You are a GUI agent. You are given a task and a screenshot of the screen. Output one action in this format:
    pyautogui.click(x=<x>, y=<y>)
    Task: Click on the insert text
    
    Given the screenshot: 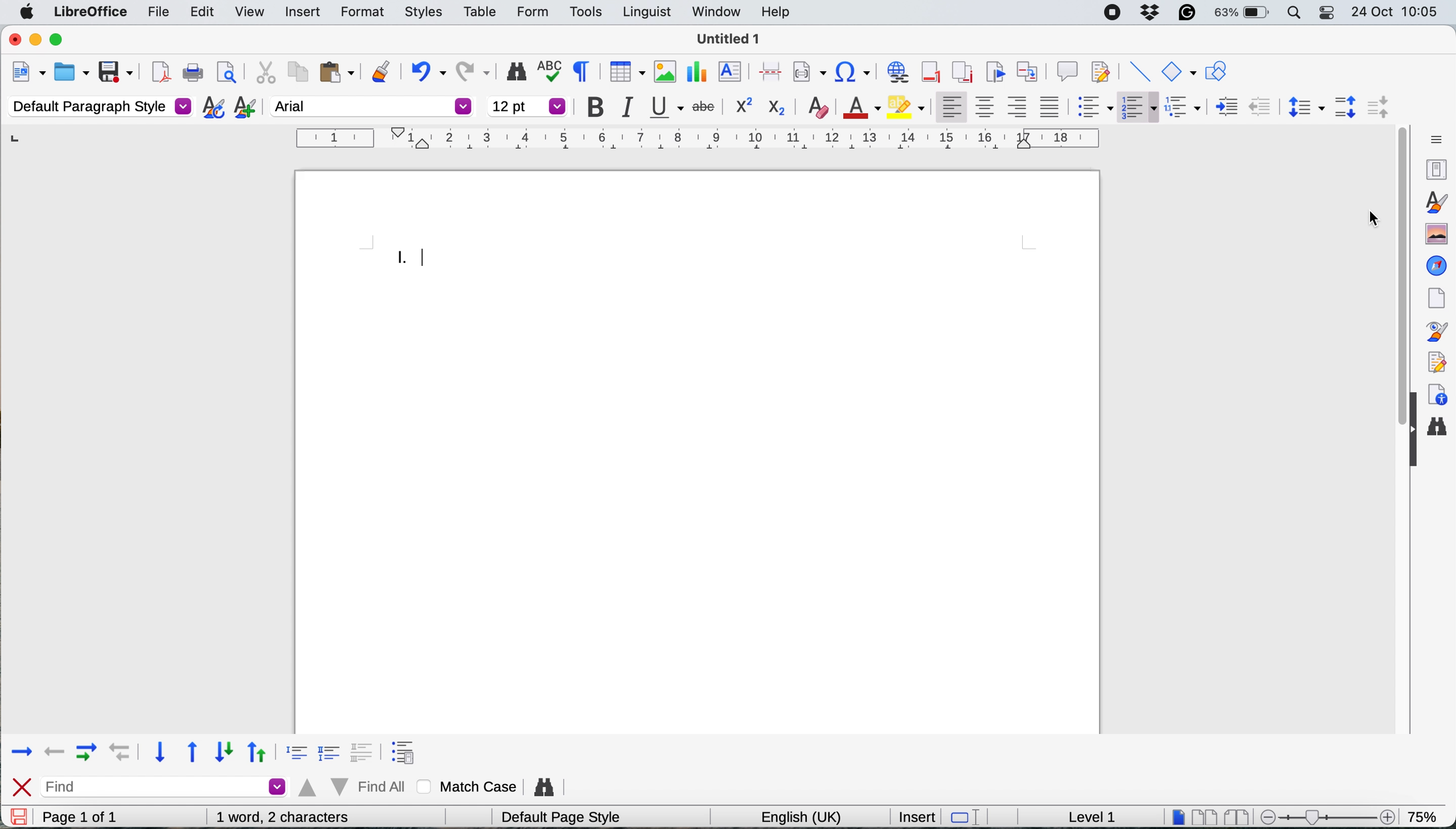 What is the action you would take?
    pyautogui.click(x=732, y=72)
    